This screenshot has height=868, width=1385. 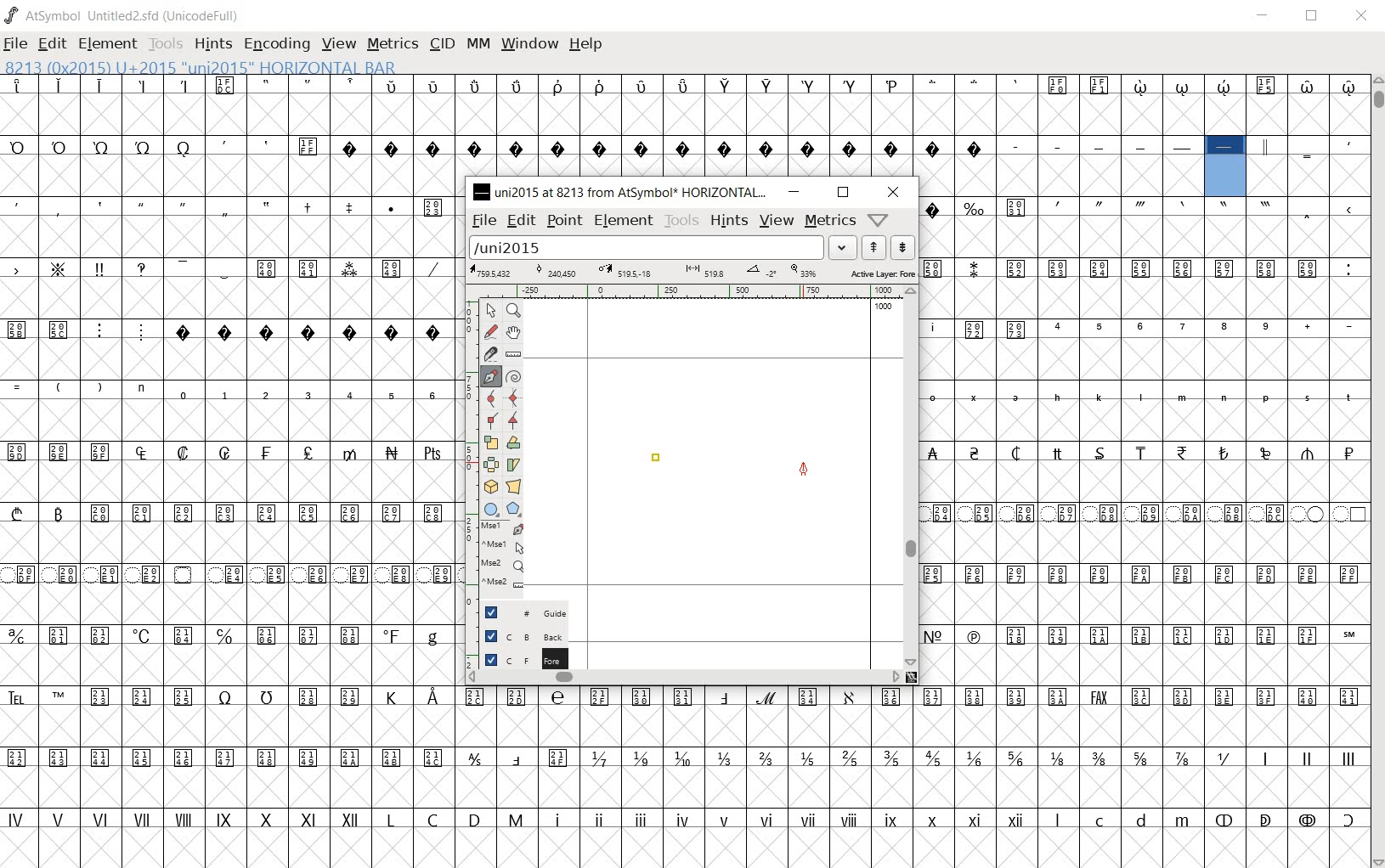 I want to click on add a curve point, so click(x=490, y=398).